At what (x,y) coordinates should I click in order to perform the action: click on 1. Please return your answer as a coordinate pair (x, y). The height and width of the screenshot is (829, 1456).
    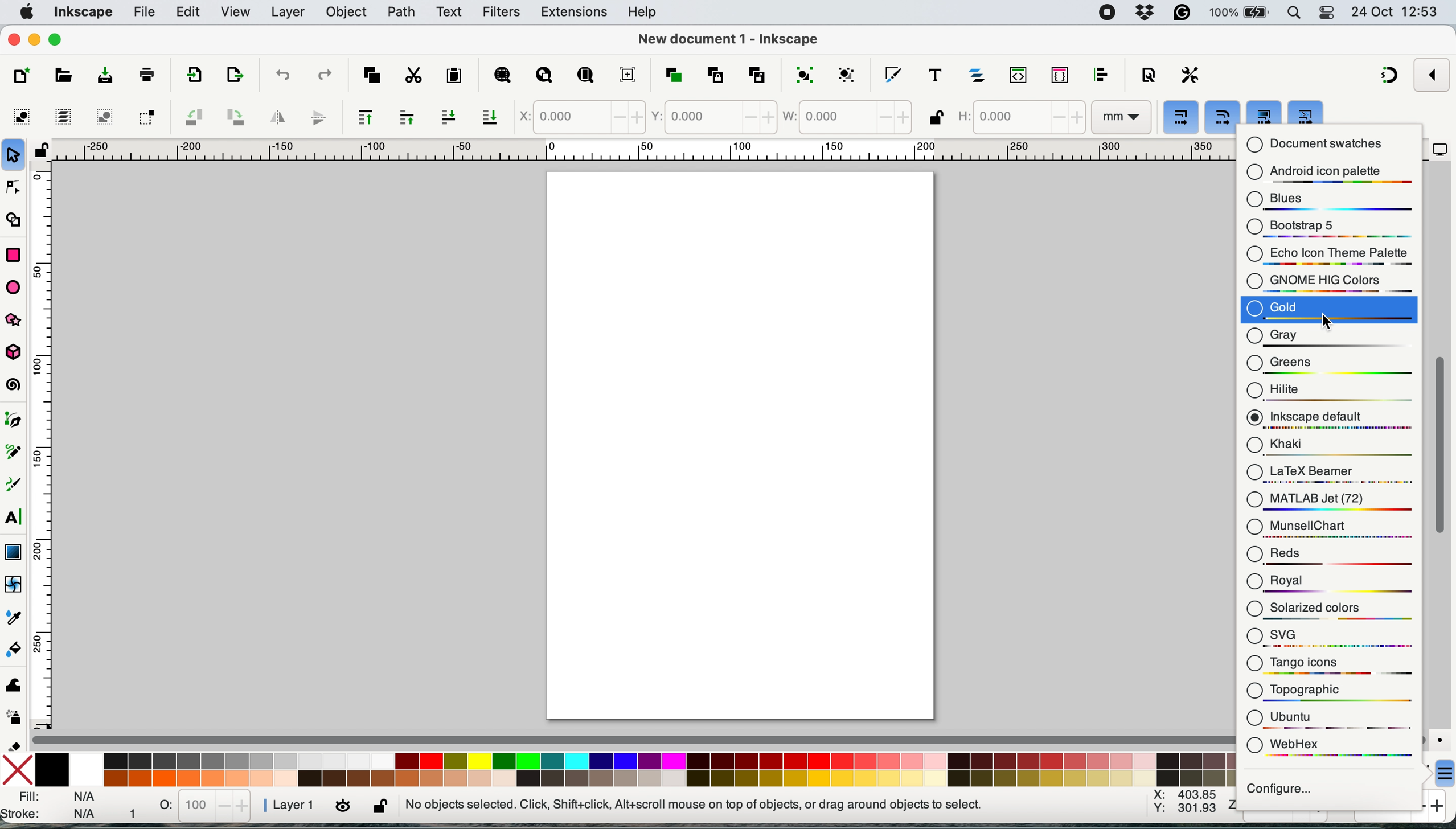
    Looking at the image, I should click on (135, 808).